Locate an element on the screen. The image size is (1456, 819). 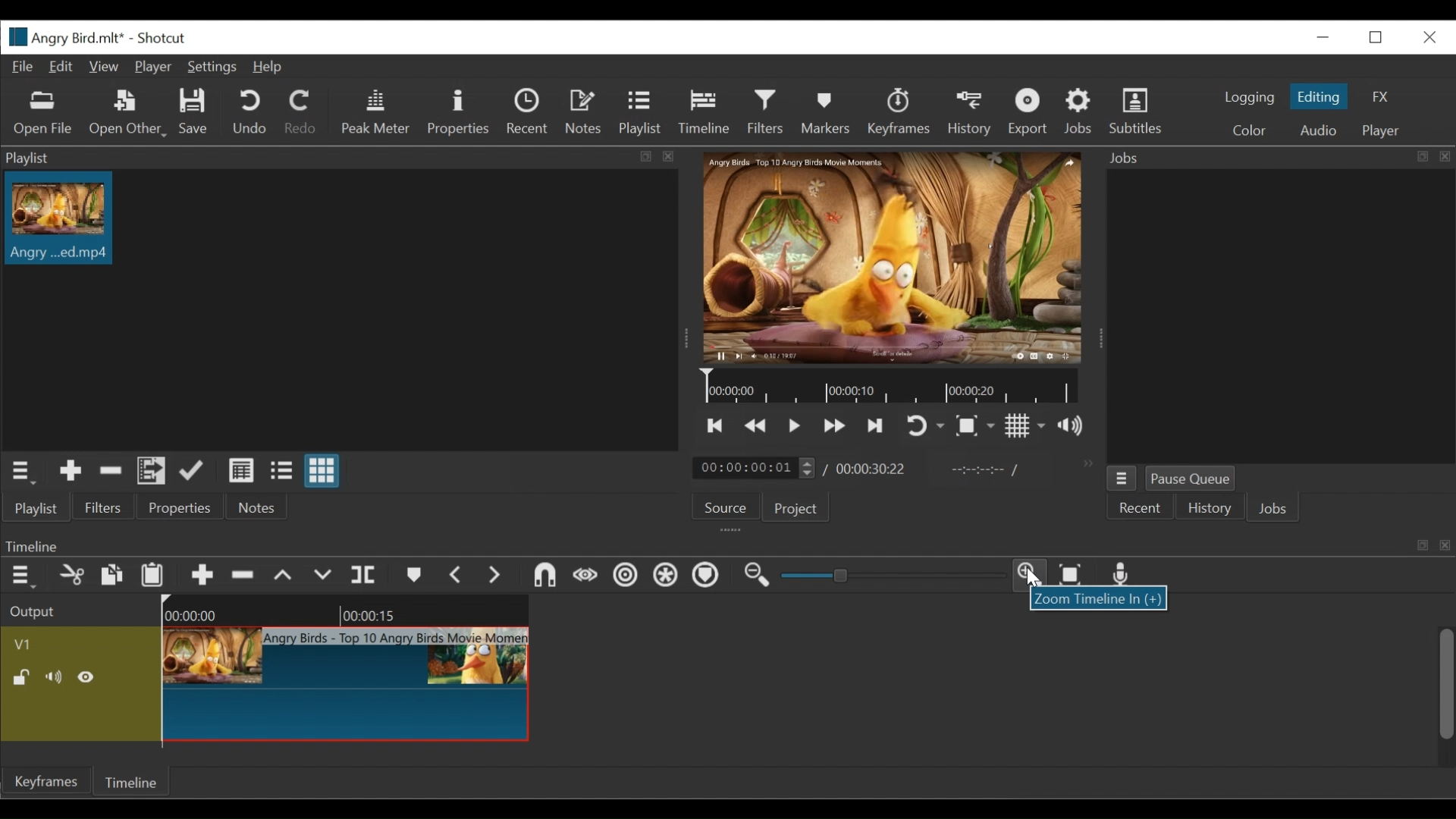
Show volume control is located at coordinates (1073, 427).